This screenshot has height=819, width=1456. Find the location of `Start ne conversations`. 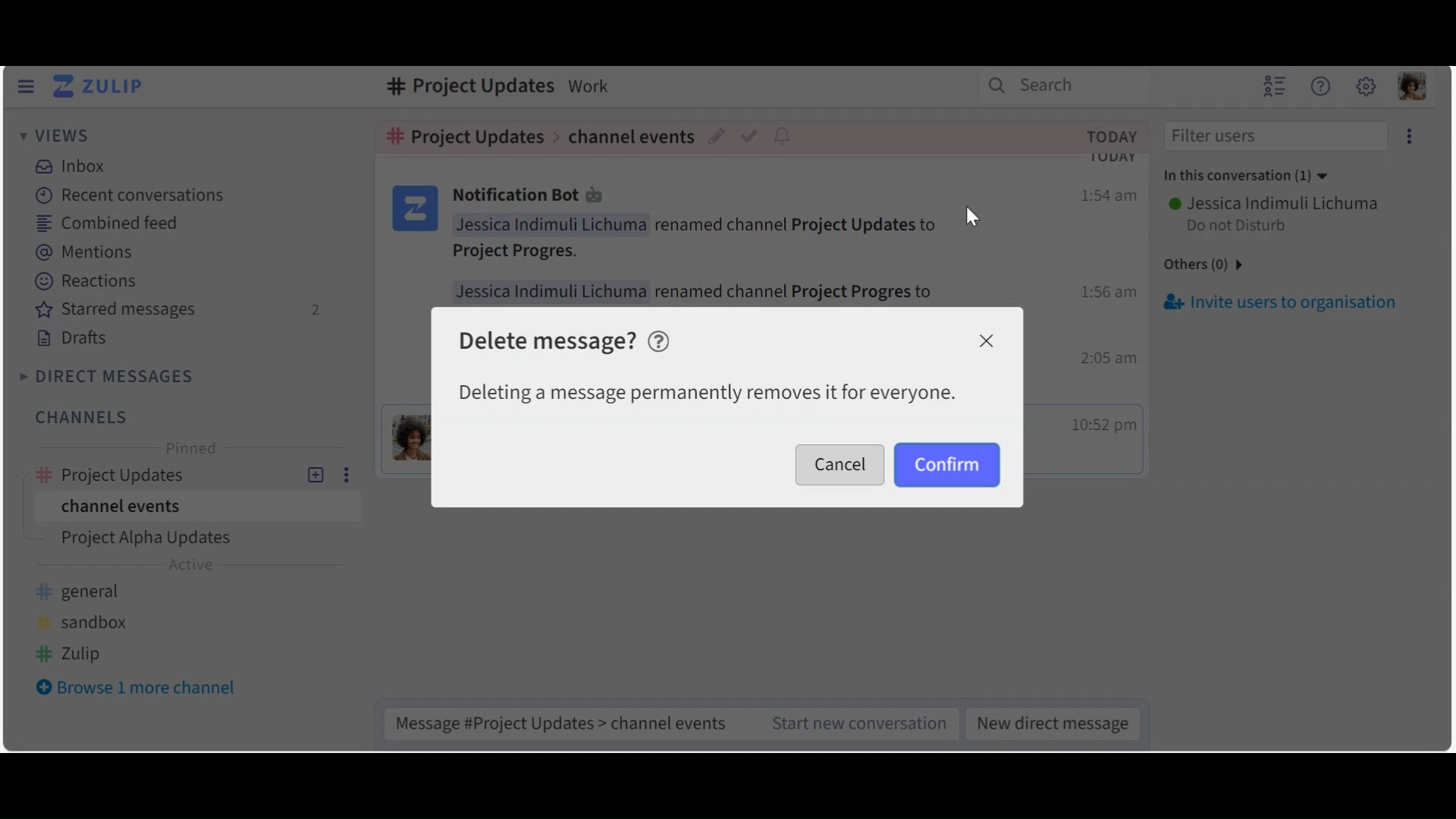

Start ne conversations is located at coordinates (855, 724).